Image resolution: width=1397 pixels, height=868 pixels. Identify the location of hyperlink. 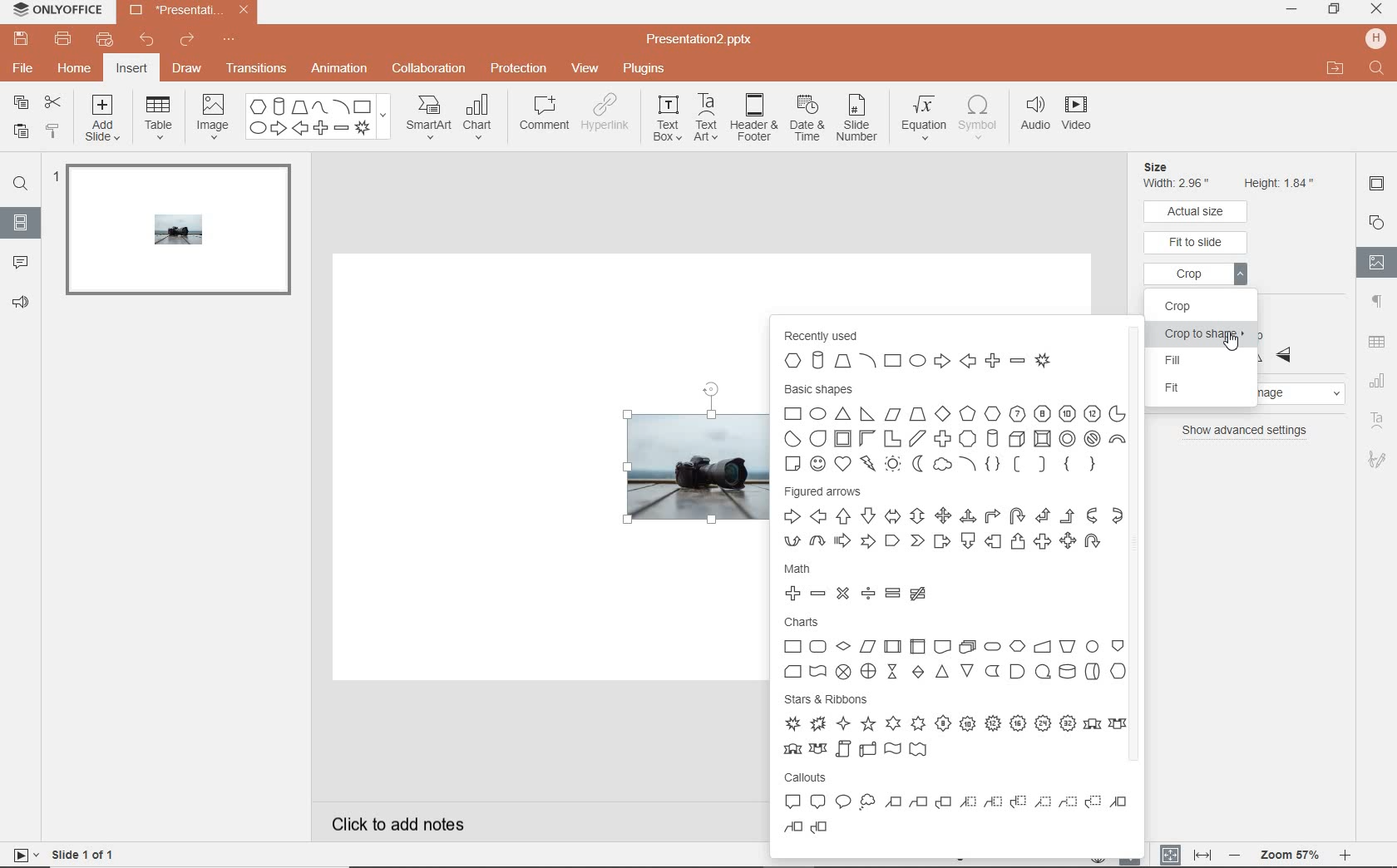
(610, 116).